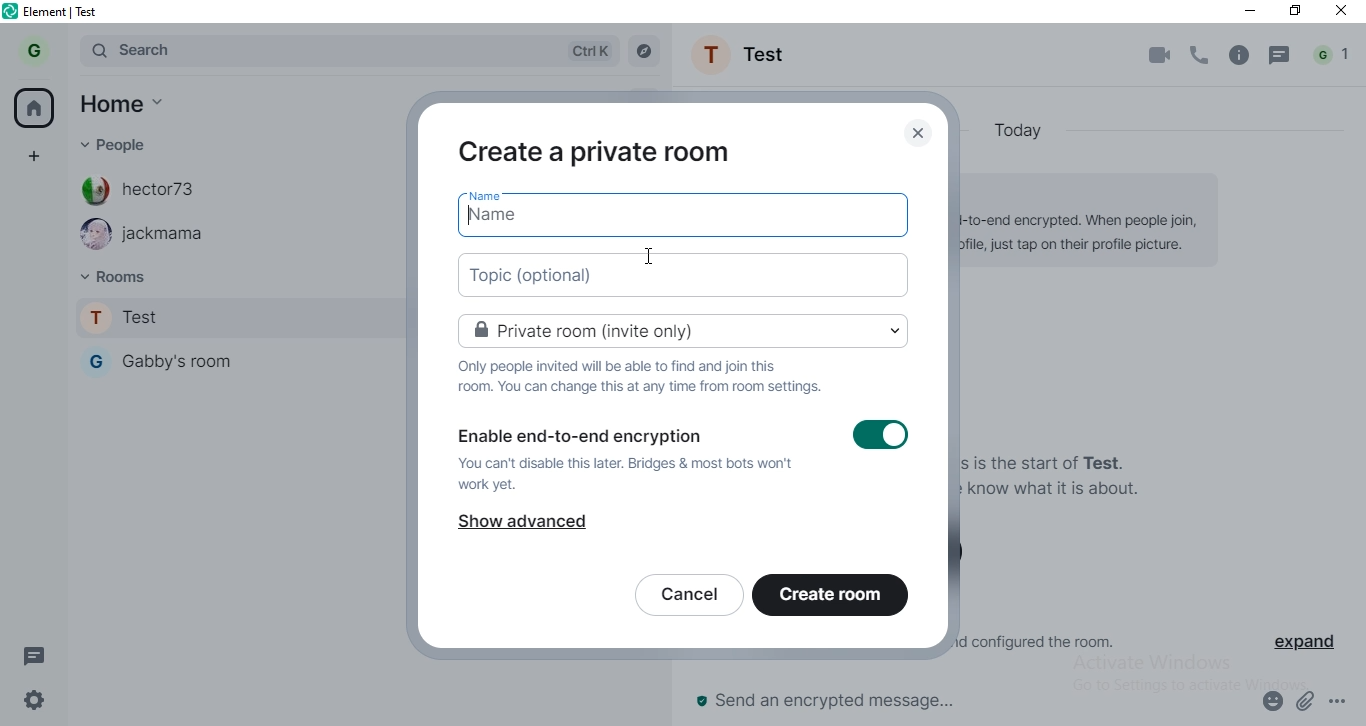 This screenshot has height=726, width=1366. What do you see at coordinates (1340, 701) in the screenshot?
I see `options` at bounding box center [1340, 701].